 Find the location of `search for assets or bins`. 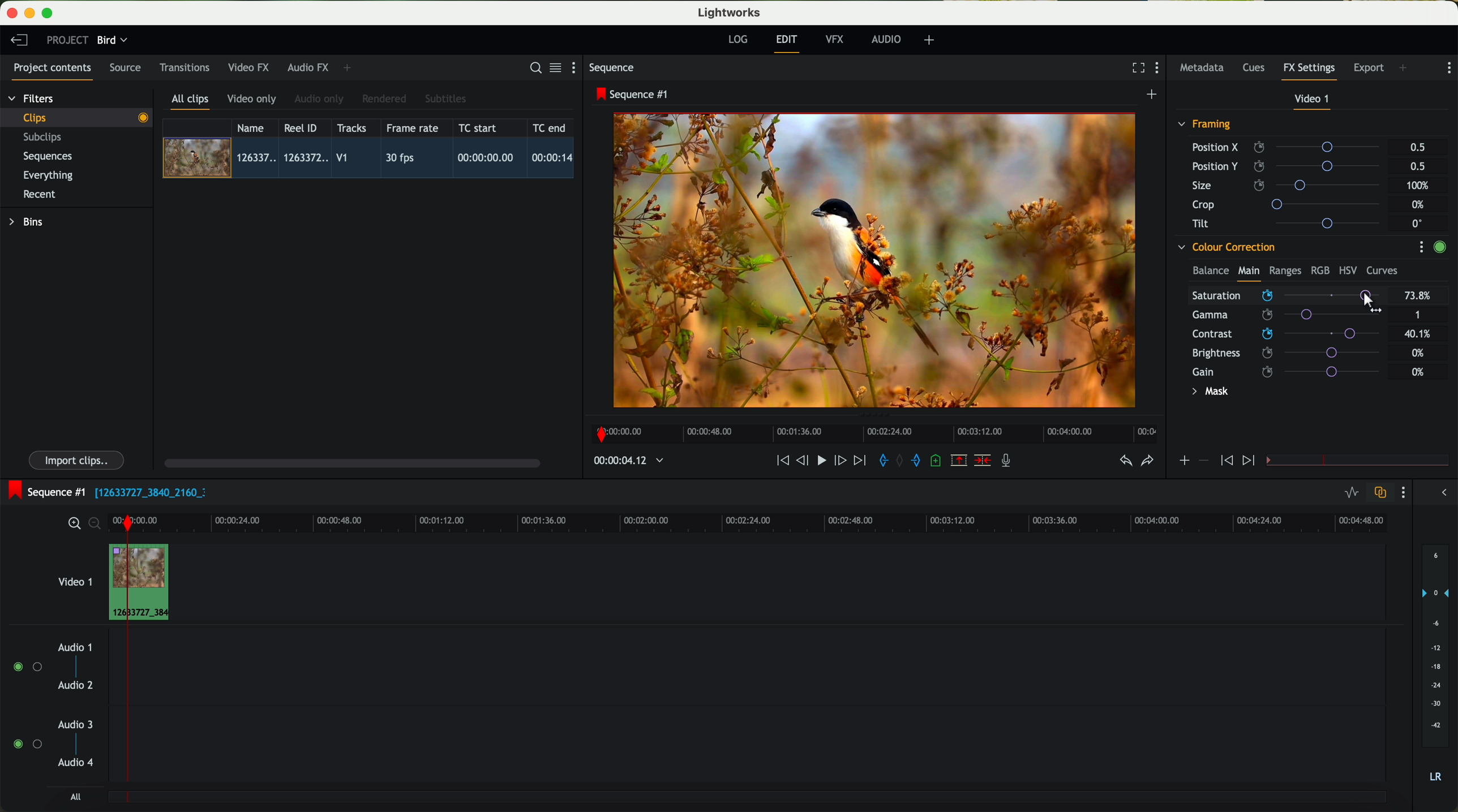

search for assets or bins is located at coordinates (532, 68).